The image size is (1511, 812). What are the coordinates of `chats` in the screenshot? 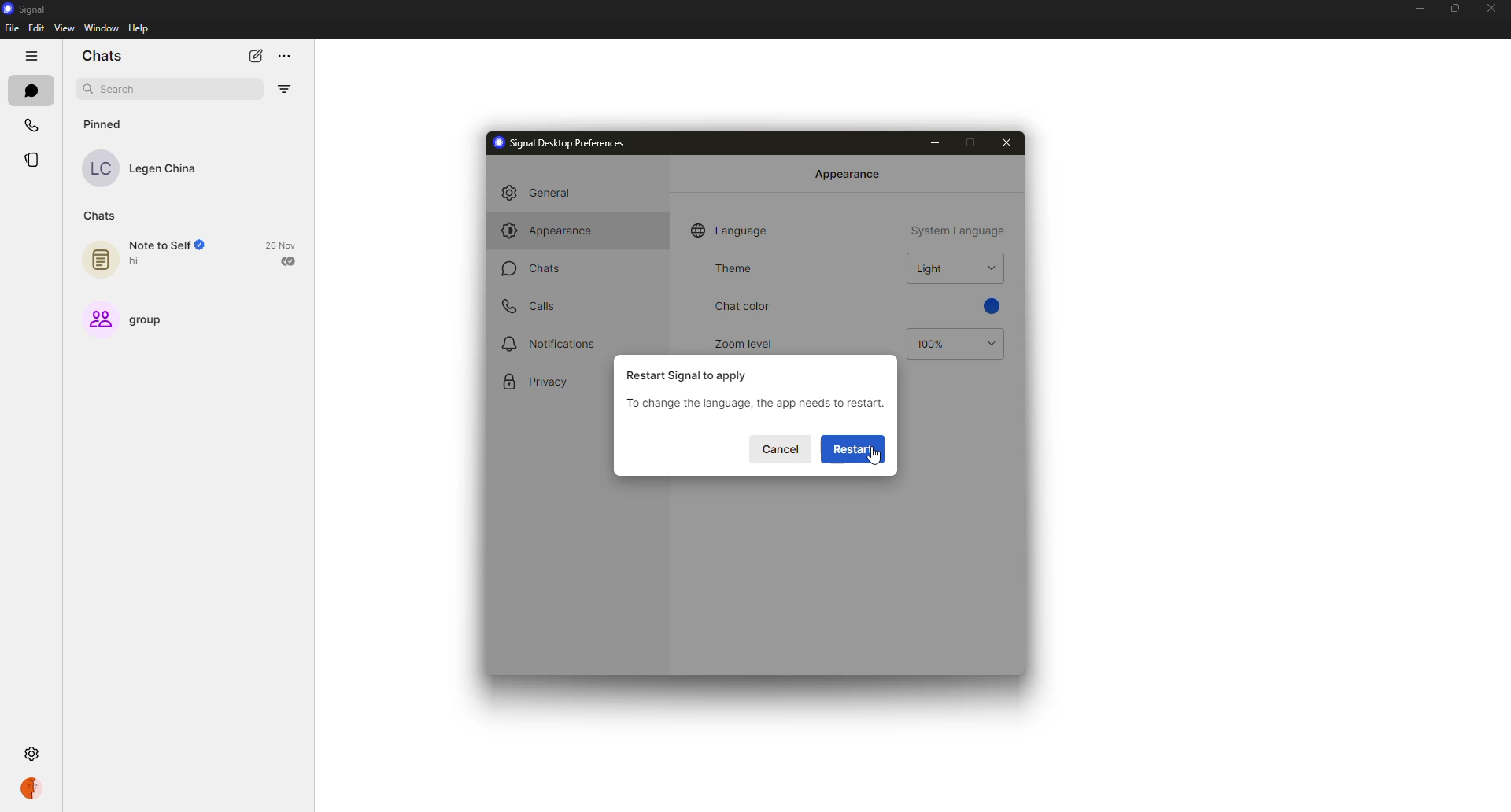 It's located at (105, 56).